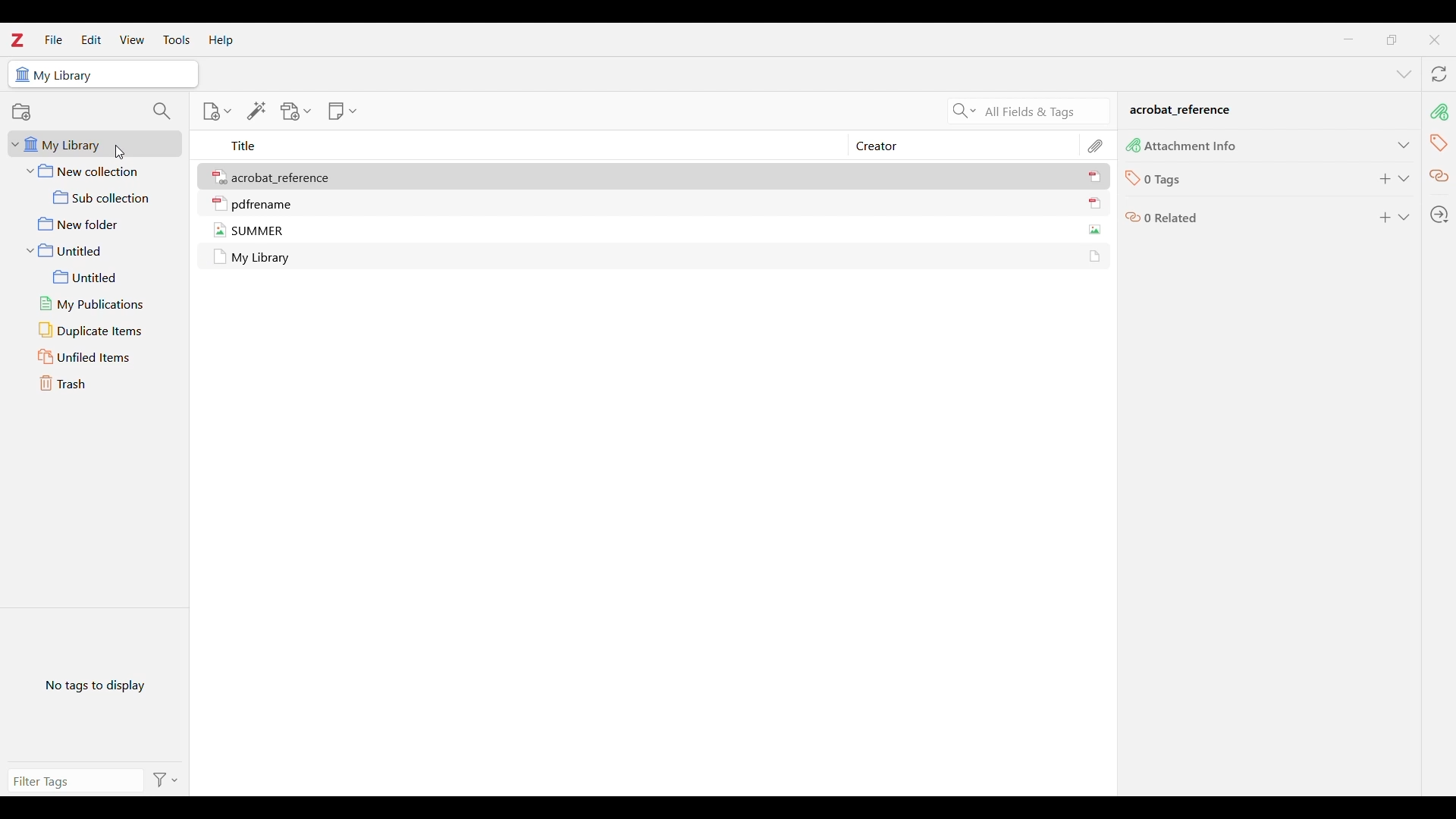 Image resolution: width=1456 pixels, height=819 pixels. Describe the element at coordinates (1095, 229) in the screenshot. I see `icon` at that location.